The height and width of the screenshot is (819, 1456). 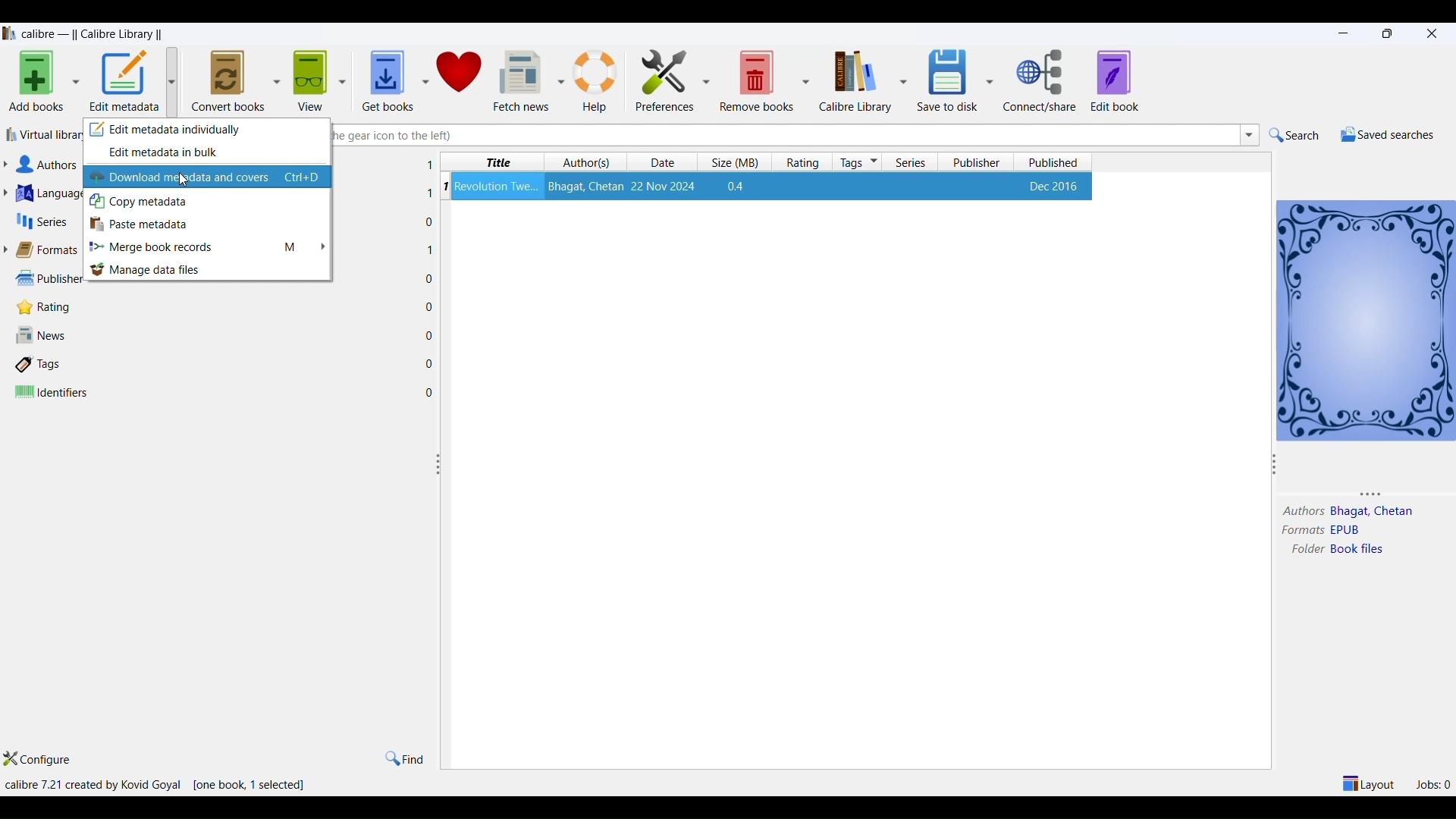 What do you see at coordinates (522, 76) in the screenshot?
I see `fetch news` at bounding box center [522, 76].